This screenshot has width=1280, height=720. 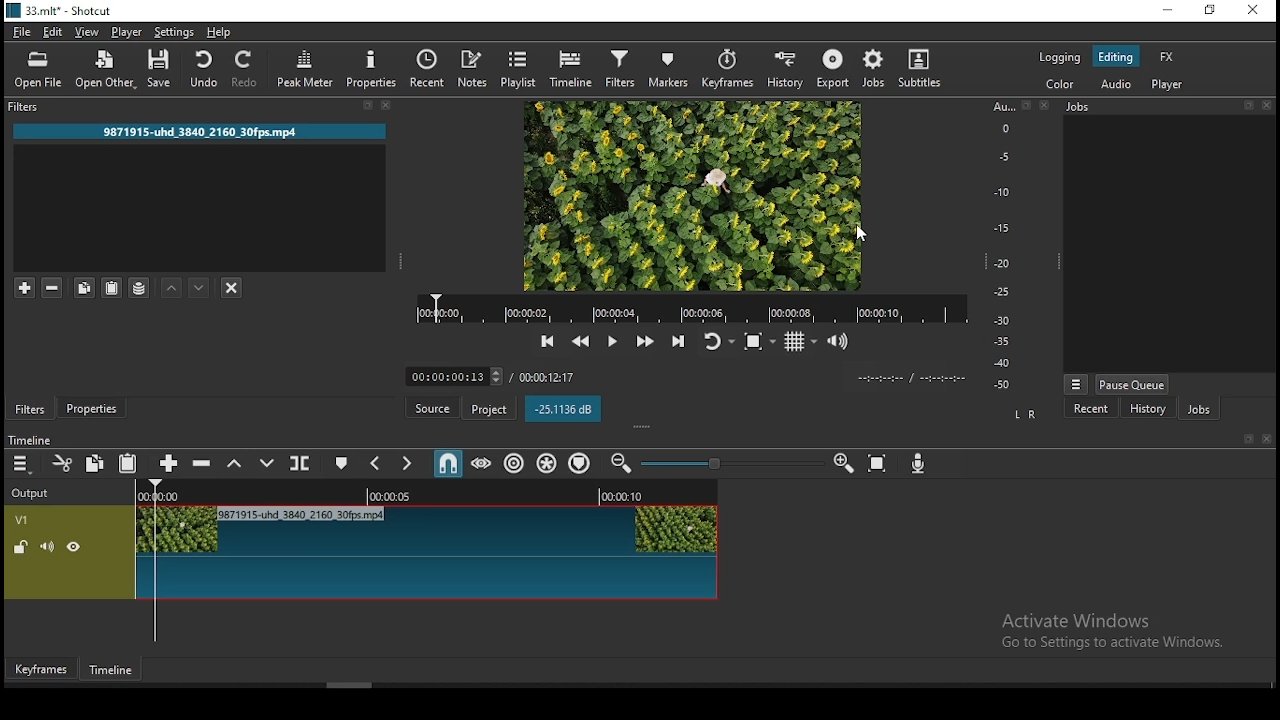 I want to click on -25.1136 dB, so click(x=564, y=410).